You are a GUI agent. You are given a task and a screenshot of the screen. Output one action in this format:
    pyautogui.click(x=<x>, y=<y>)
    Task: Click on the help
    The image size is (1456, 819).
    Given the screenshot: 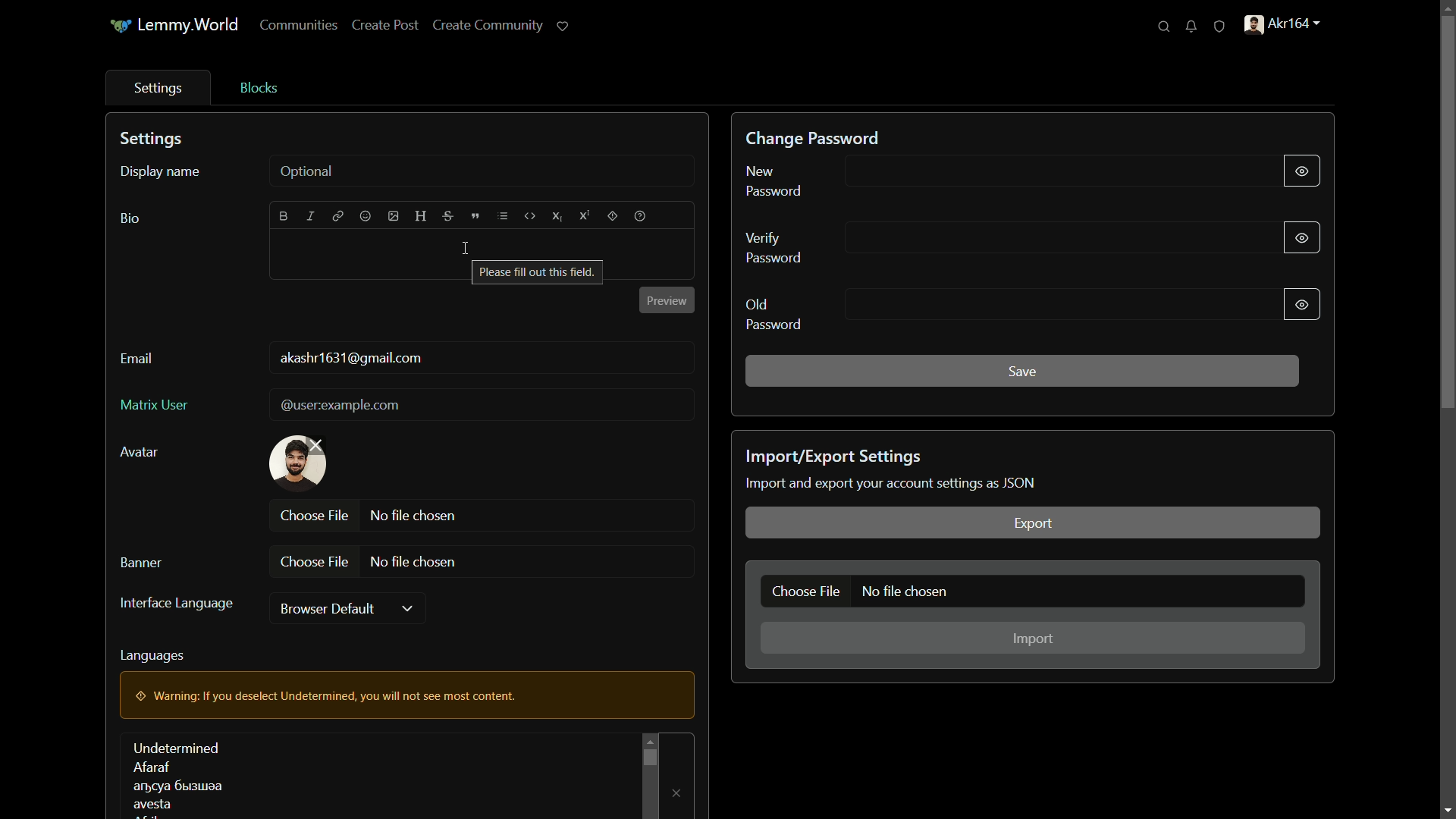 What is the action you would take?
    pyautogui.click(x=640, y=217)
    